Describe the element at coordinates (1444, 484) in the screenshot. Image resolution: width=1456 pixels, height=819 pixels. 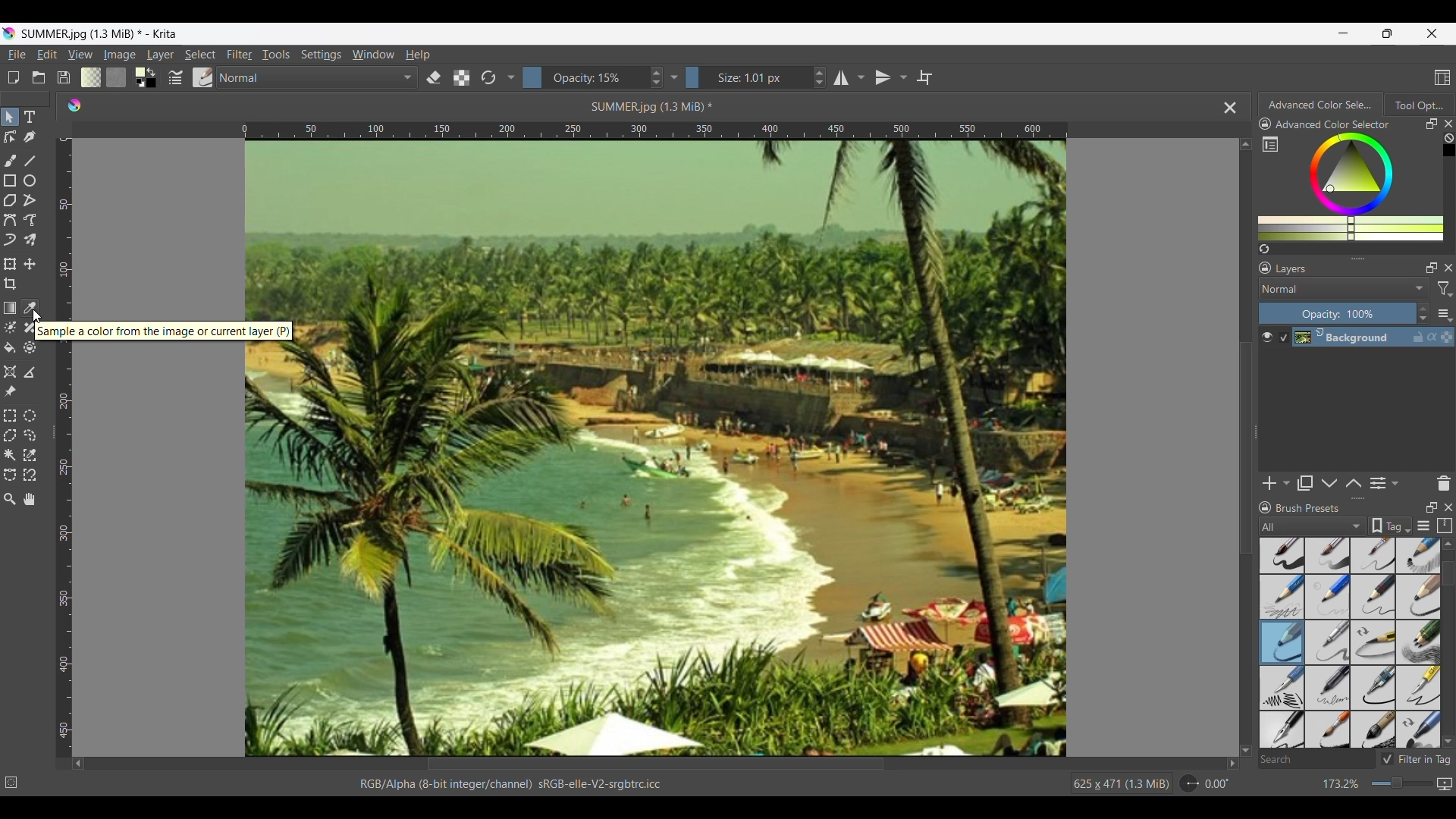
I see `Delete presets` at that location.